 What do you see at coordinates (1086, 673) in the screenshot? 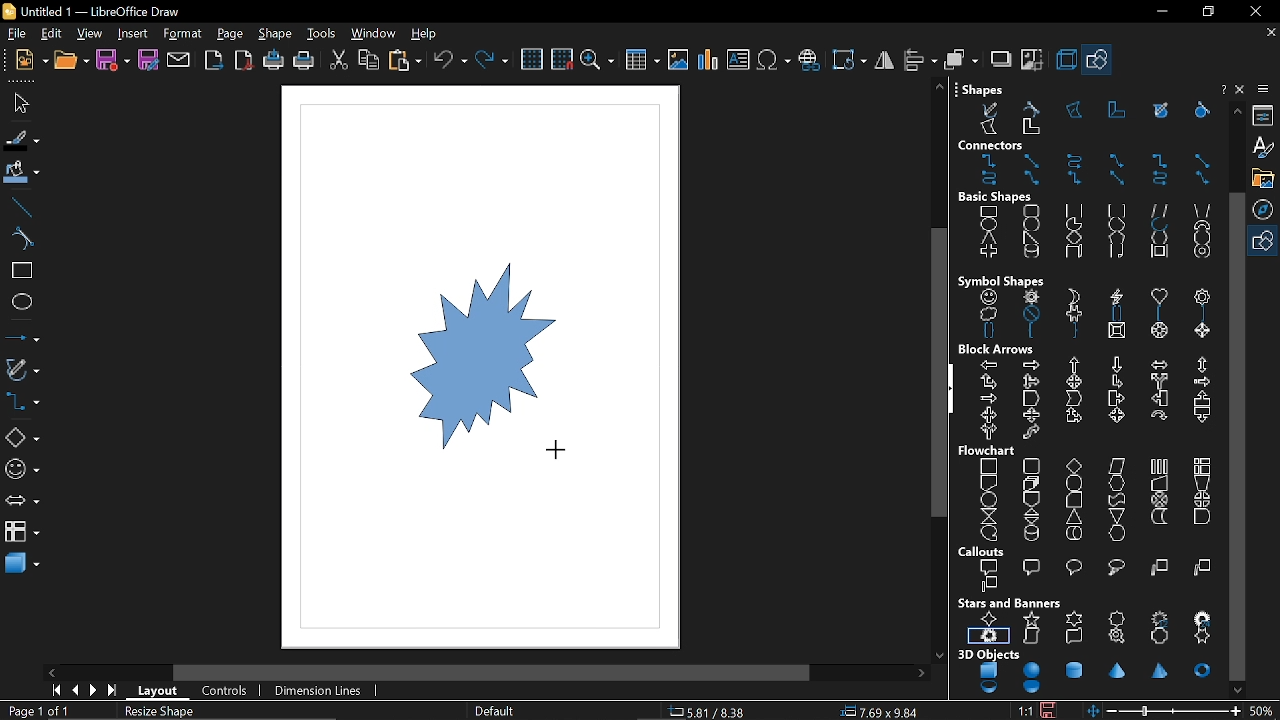
I see `3d objects` at bounding box center [1086, 673].